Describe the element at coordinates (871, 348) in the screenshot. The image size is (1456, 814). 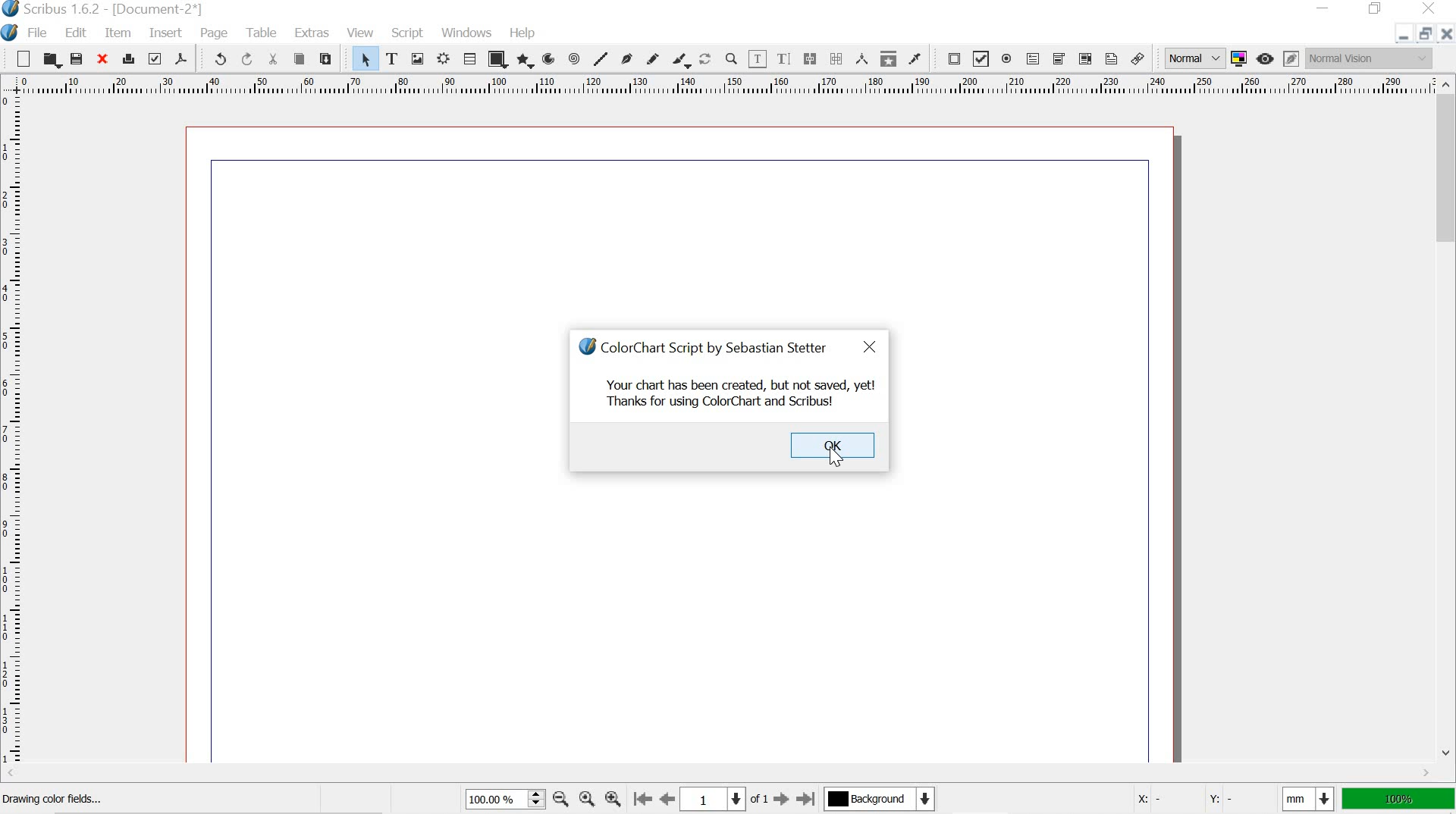
I see `close` at that location.